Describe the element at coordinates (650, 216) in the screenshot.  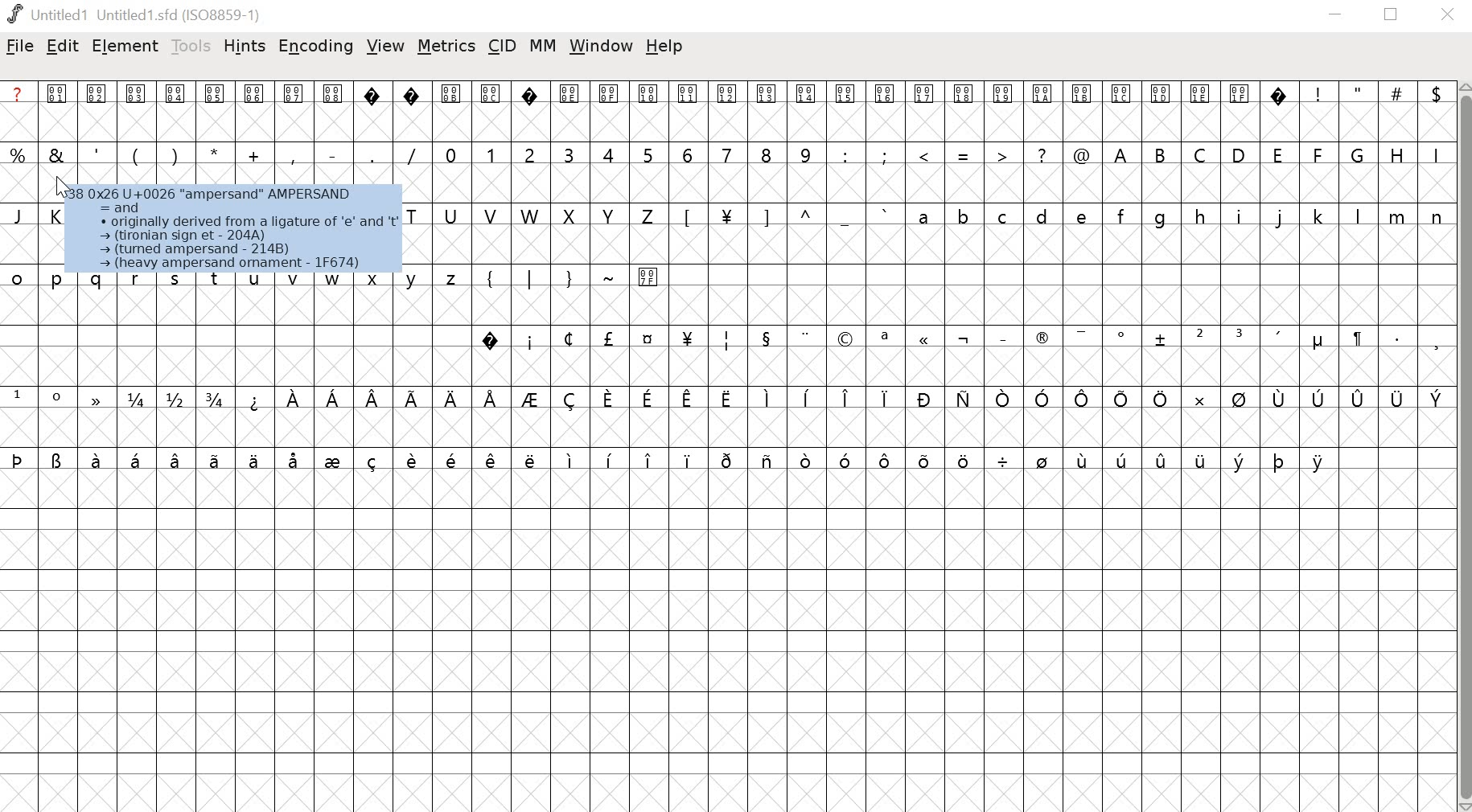
I see `Z` at that location.